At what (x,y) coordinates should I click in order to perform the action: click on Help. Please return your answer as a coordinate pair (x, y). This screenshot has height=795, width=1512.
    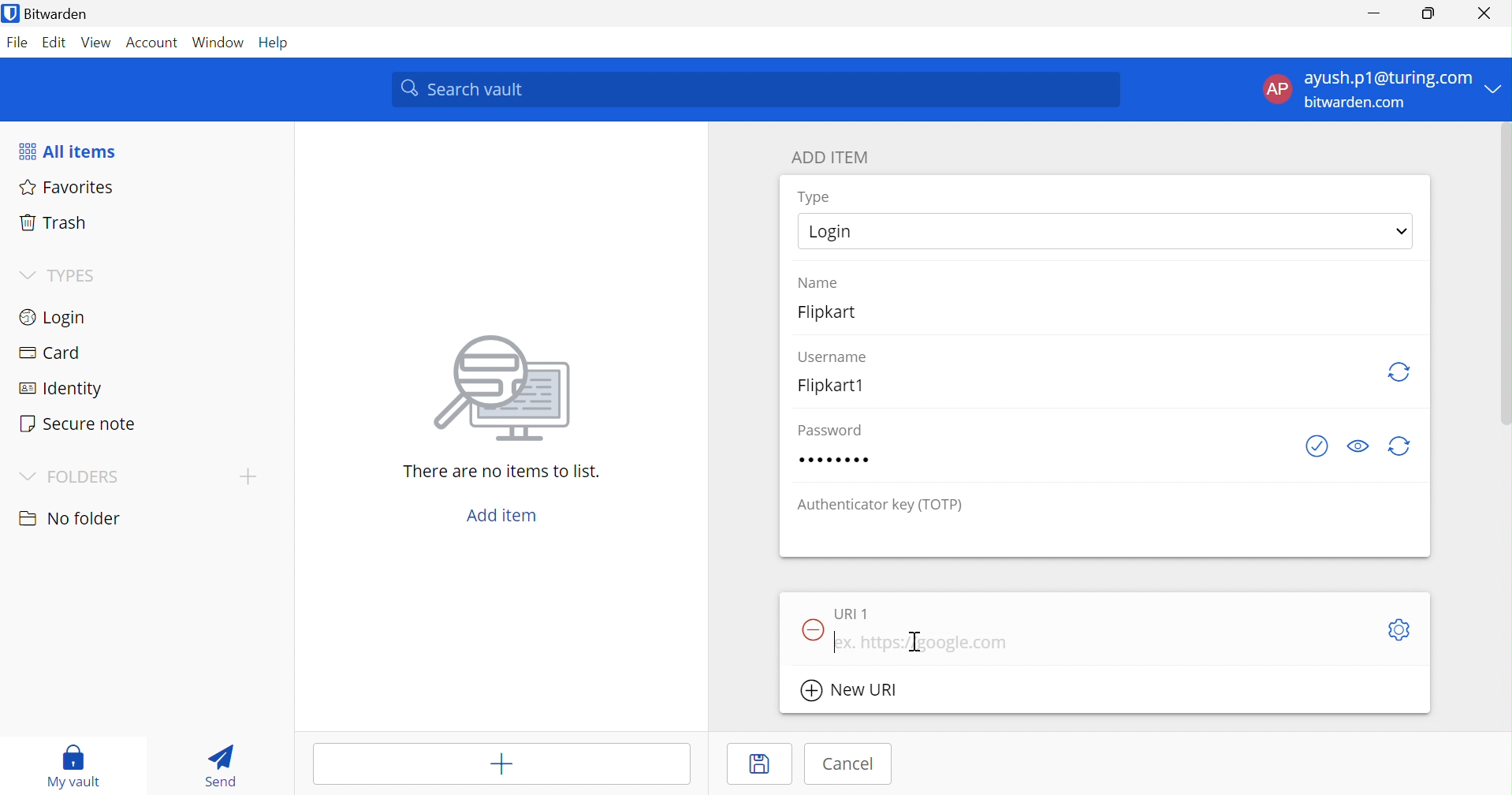
    Looking at the image, I should click on (278, 43).